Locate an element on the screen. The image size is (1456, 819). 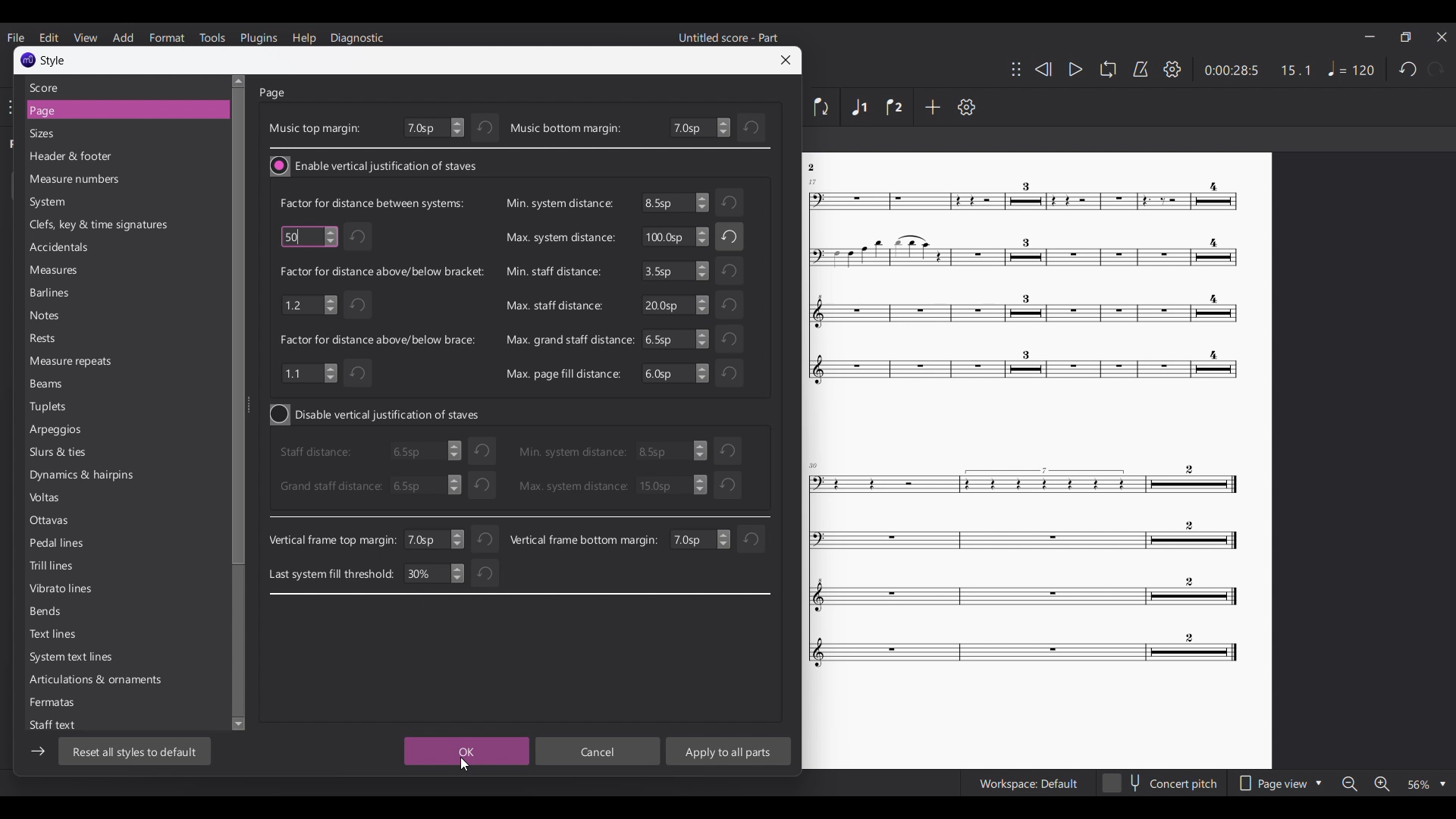
View menu is located at coordinates (85, 37).